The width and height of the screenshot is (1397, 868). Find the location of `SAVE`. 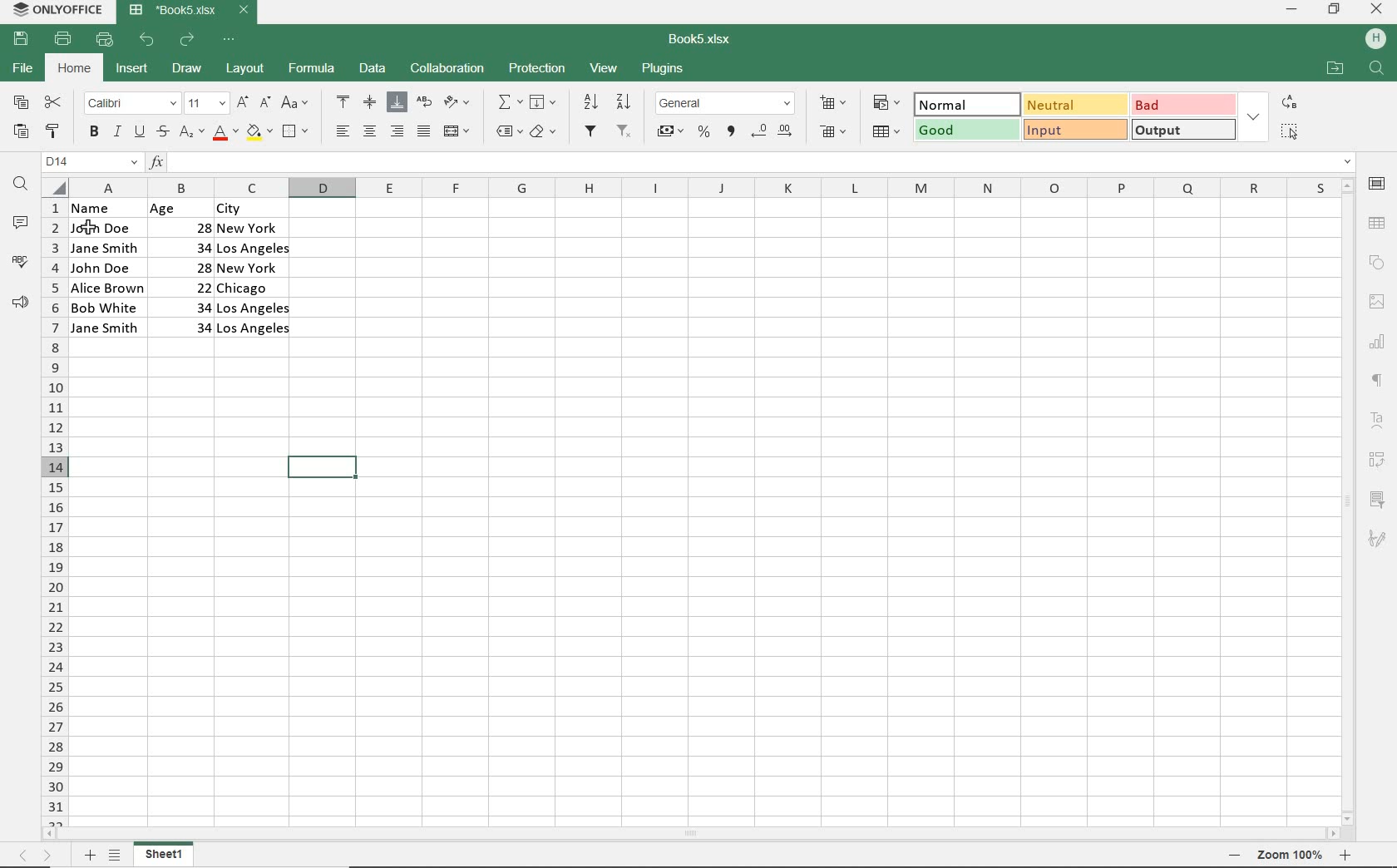

SAVE is located at coordinates (23, 37).